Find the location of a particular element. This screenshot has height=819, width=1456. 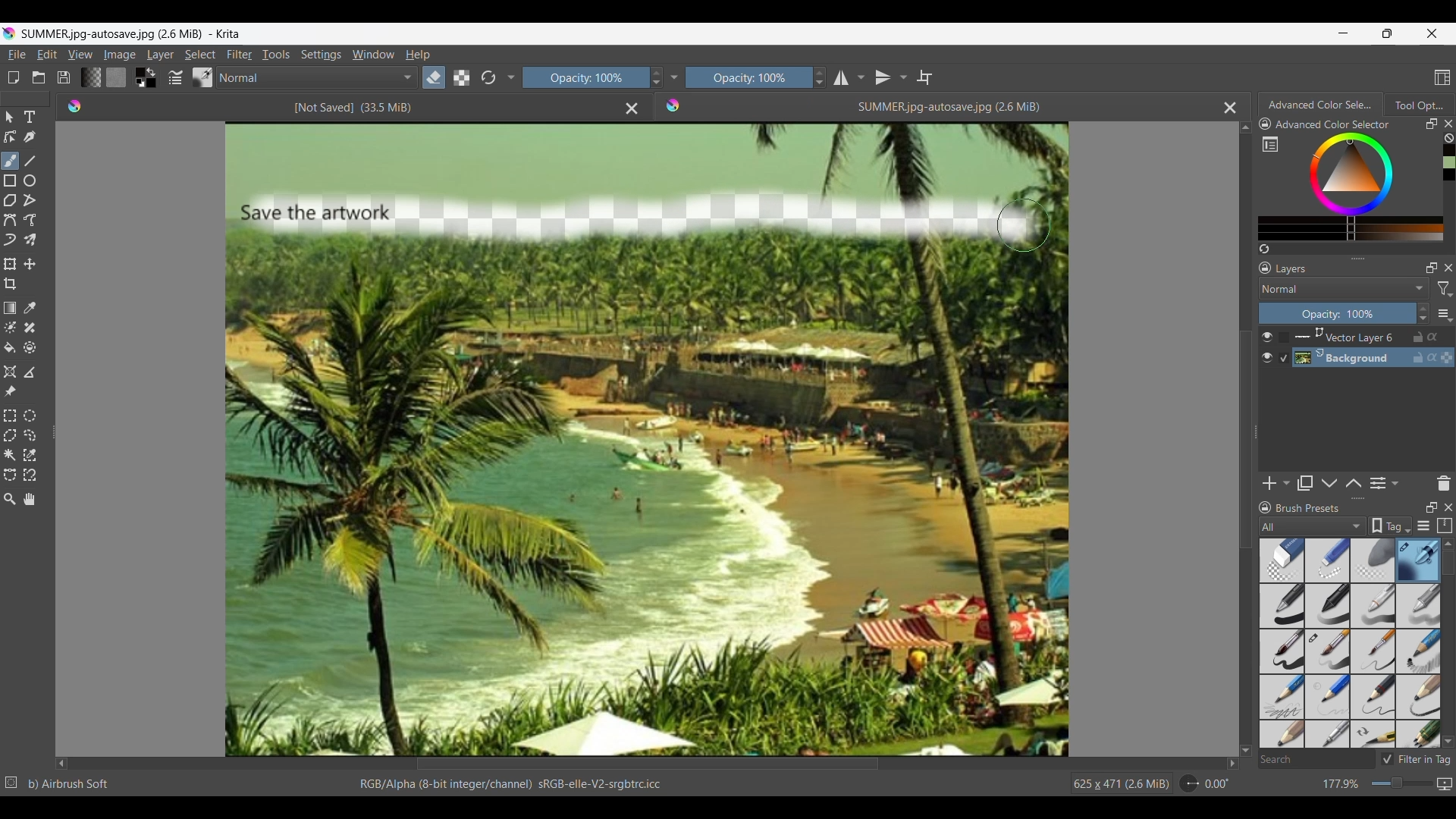

Tag is located at coordinates (1390, 526).